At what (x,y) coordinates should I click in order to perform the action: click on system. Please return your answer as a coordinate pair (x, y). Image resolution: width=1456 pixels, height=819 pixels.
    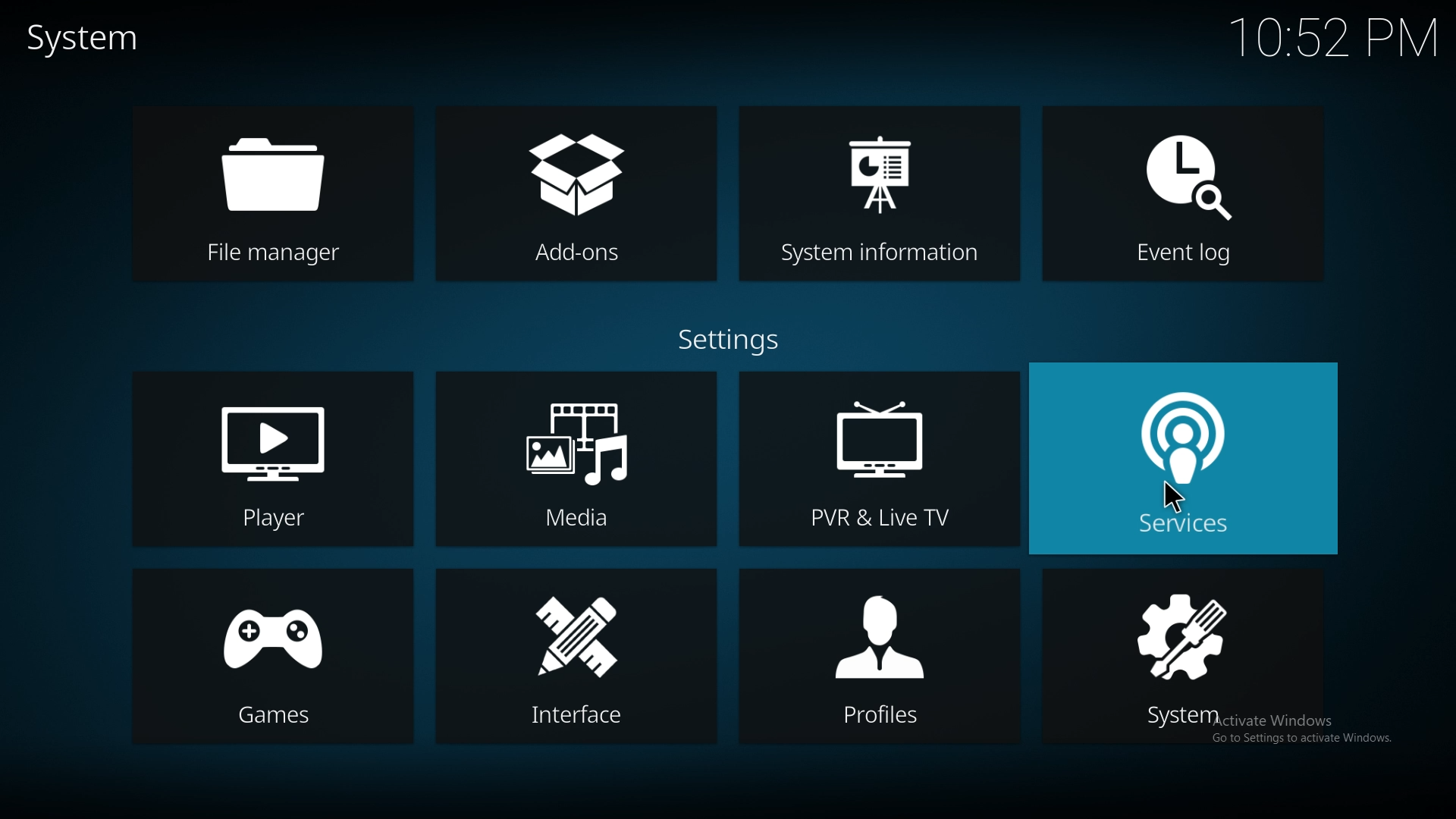
    Looking at the image, I should click on (96, 40).